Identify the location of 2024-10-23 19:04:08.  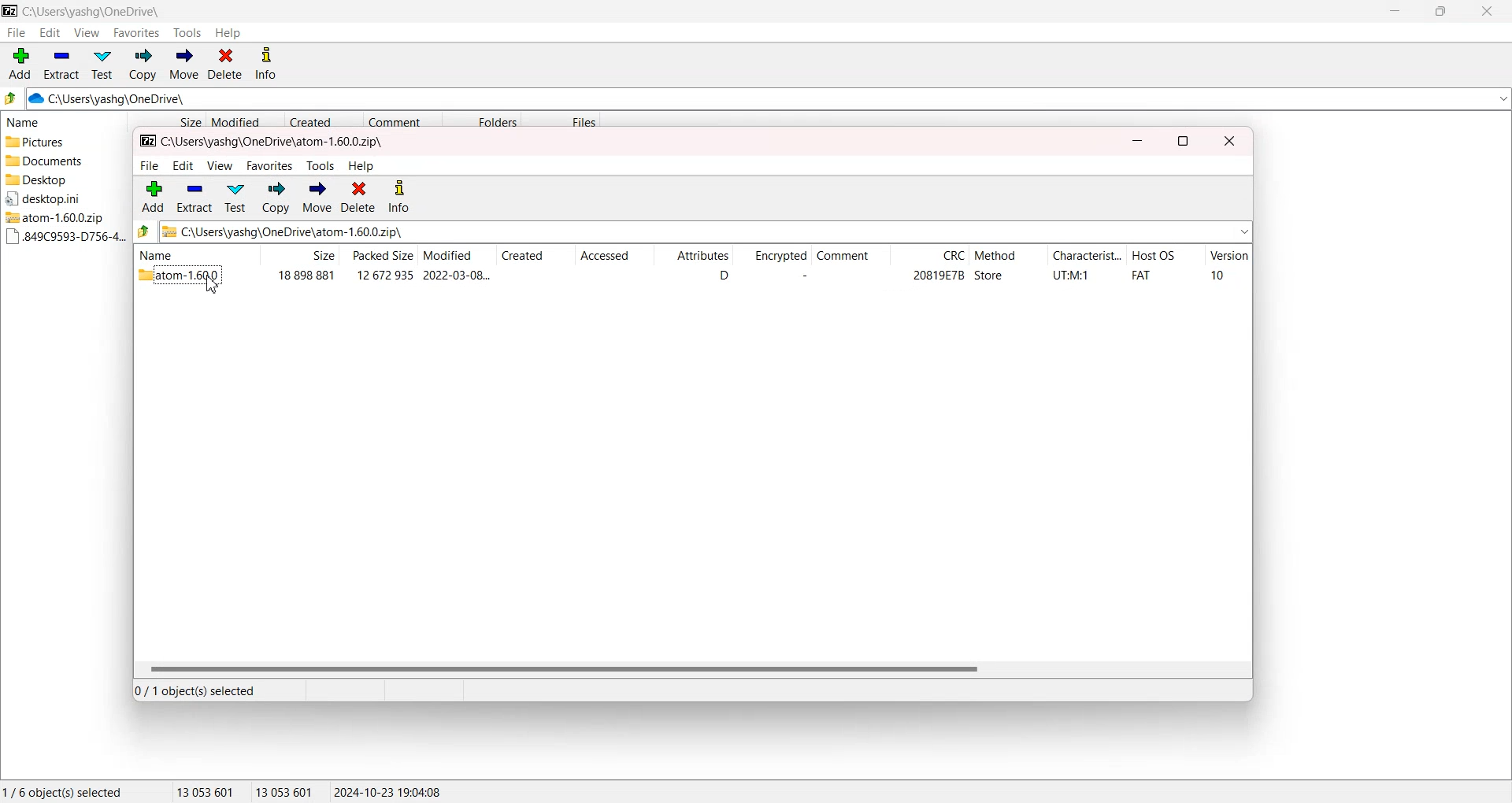
(389, 791).